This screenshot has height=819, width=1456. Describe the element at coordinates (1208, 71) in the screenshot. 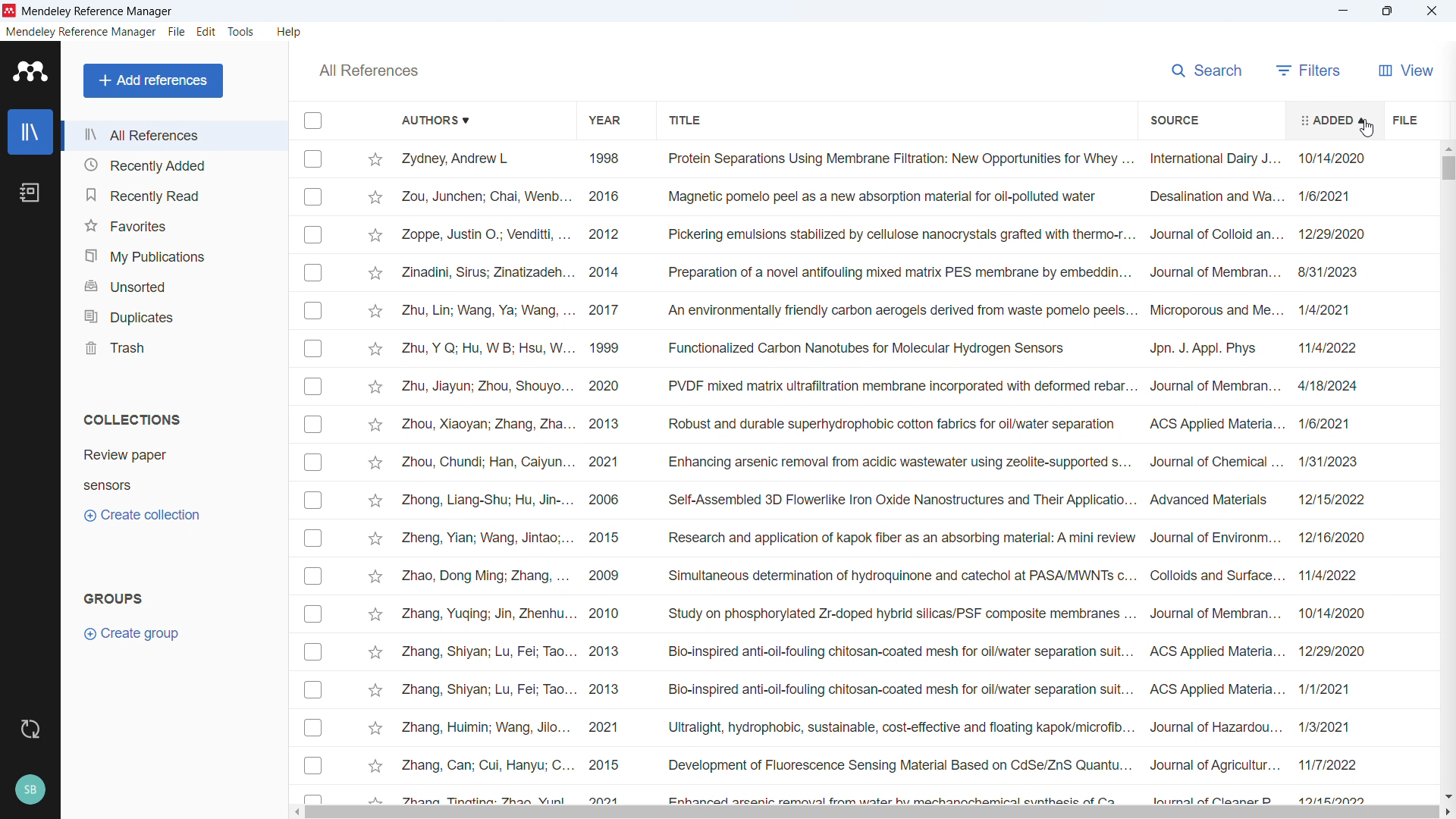

I see `search ` at that location.